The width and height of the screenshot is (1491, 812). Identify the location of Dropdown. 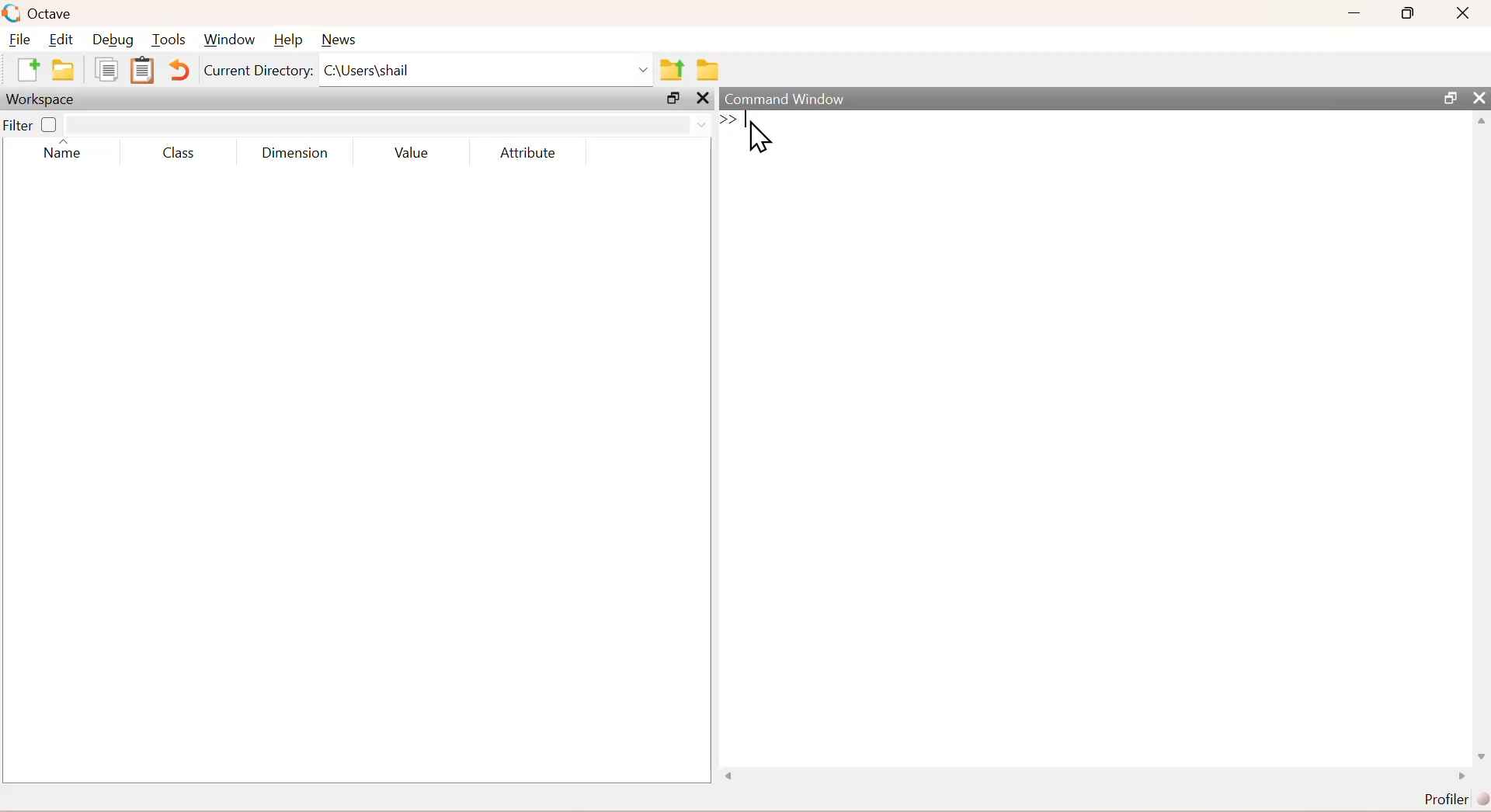
(695, 123).